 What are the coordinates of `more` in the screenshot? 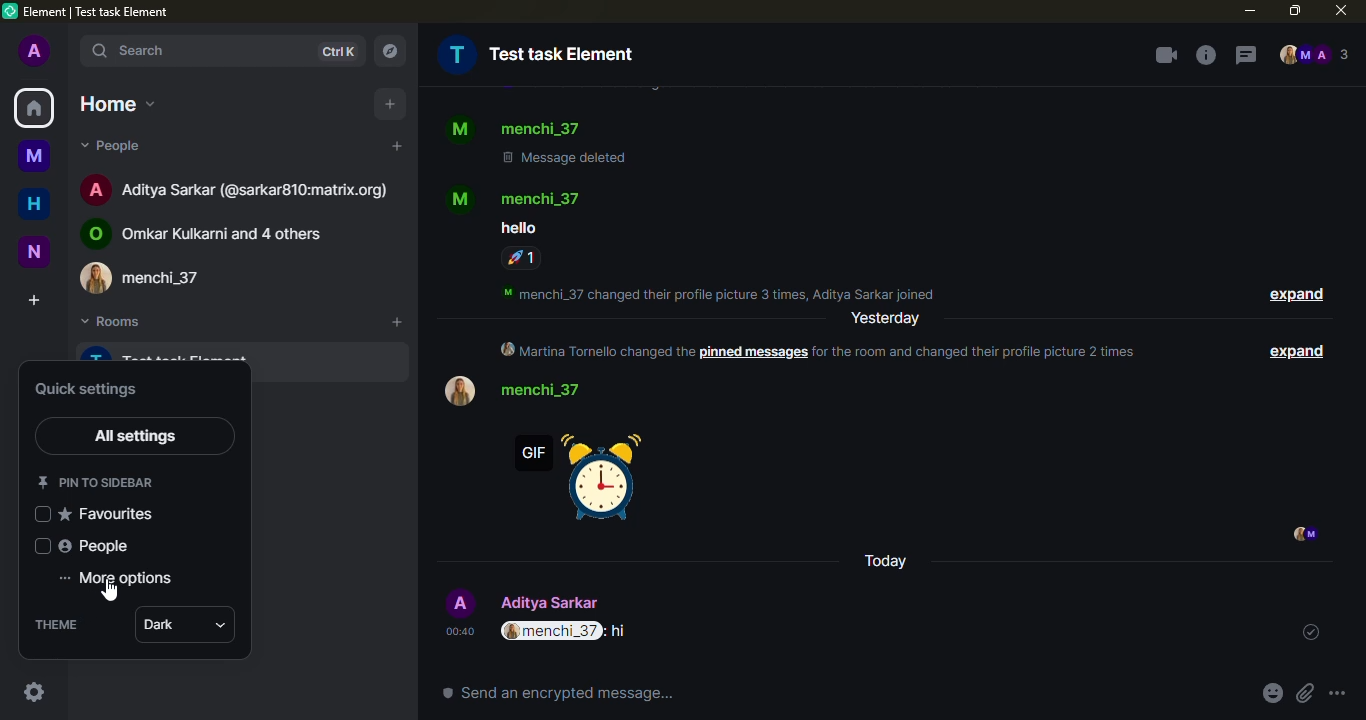 It's located at (1337, 694).